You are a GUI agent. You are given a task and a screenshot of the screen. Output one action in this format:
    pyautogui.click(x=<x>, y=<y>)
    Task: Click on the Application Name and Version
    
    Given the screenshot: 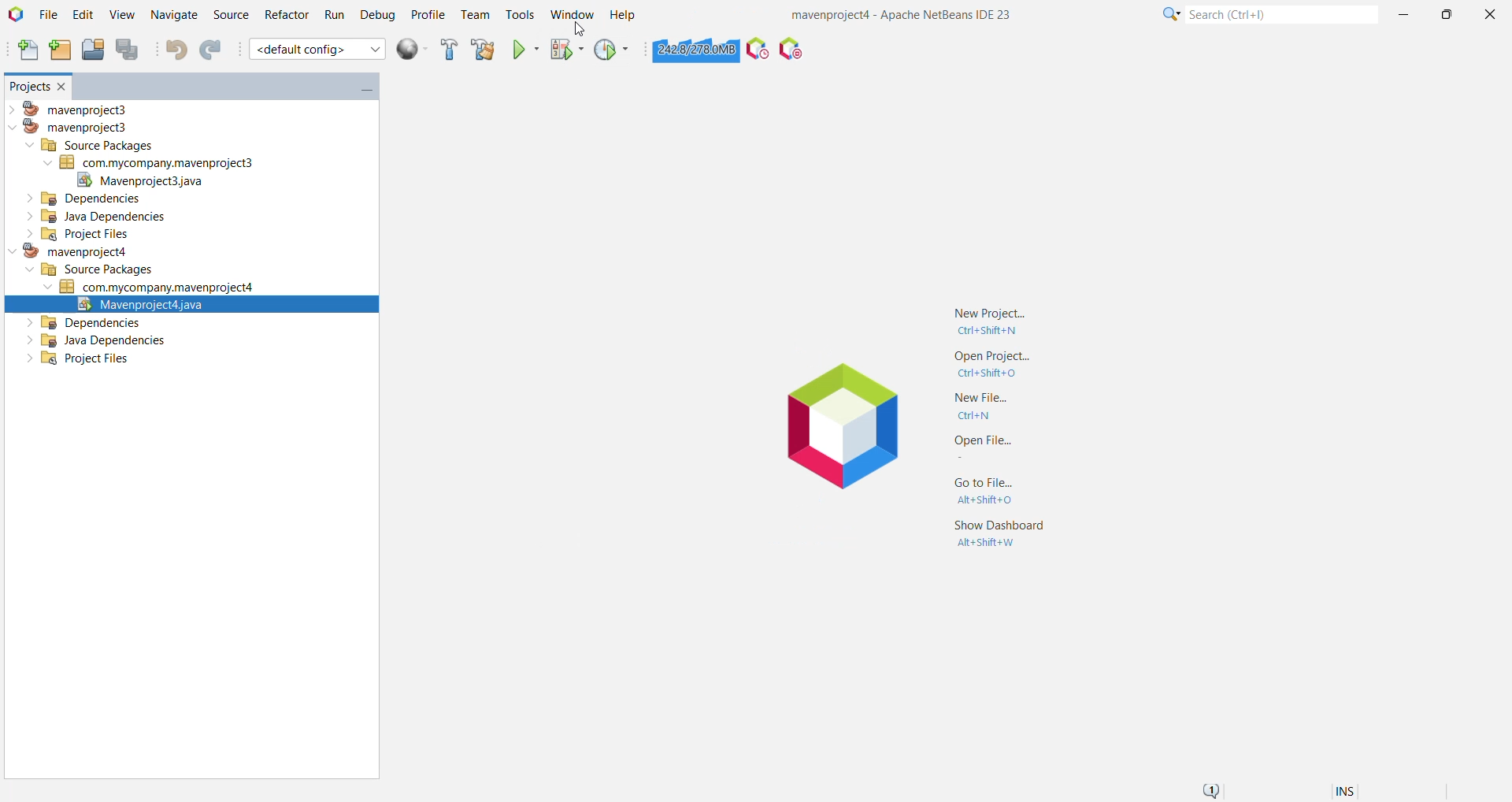 What is the action you would take?
    pyautogui.click(x=903, y=16)
    